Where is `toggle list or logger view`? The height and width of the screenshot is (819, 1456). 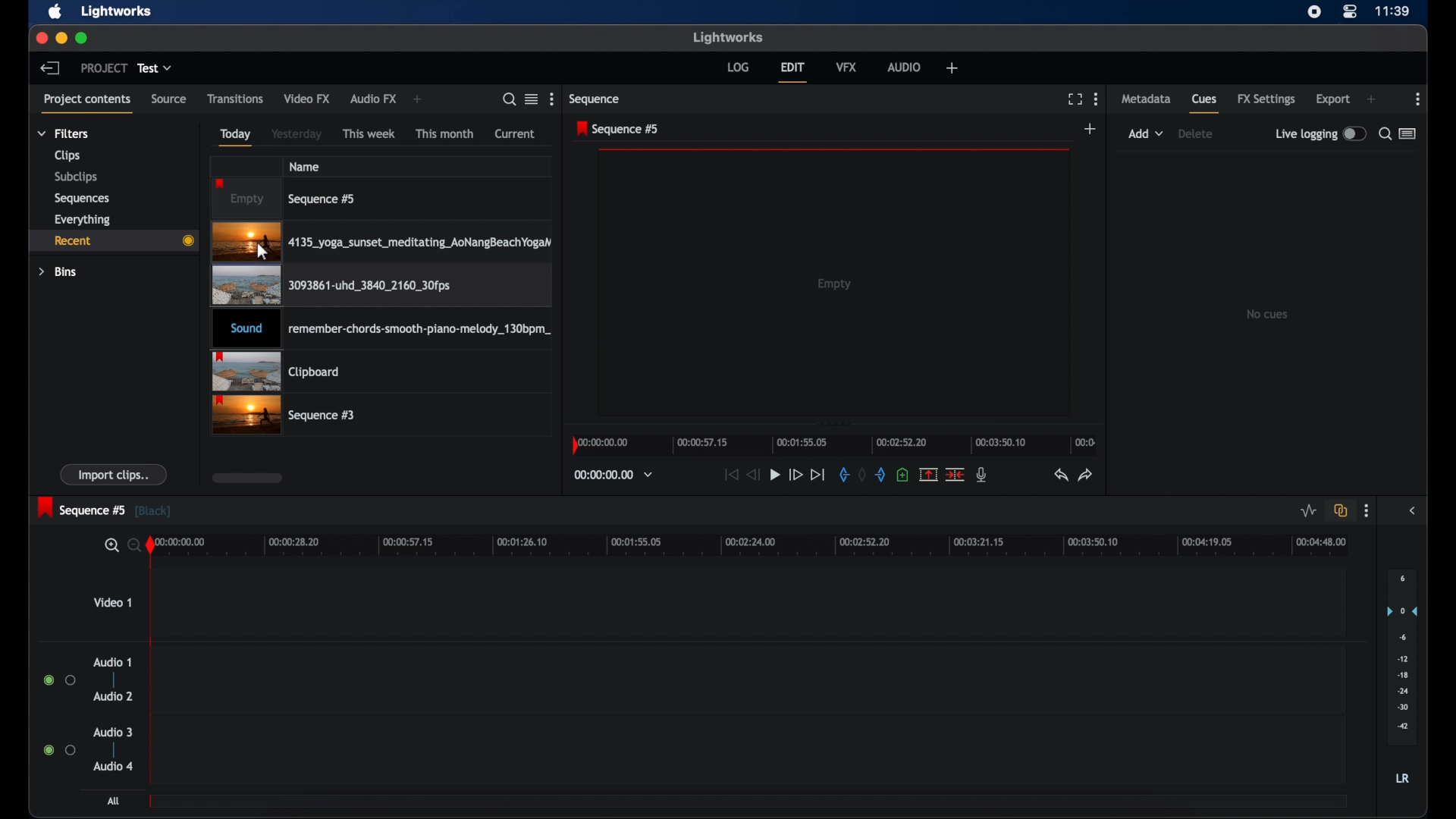 toggle list or logger view is located at coordinates (1410, 133).